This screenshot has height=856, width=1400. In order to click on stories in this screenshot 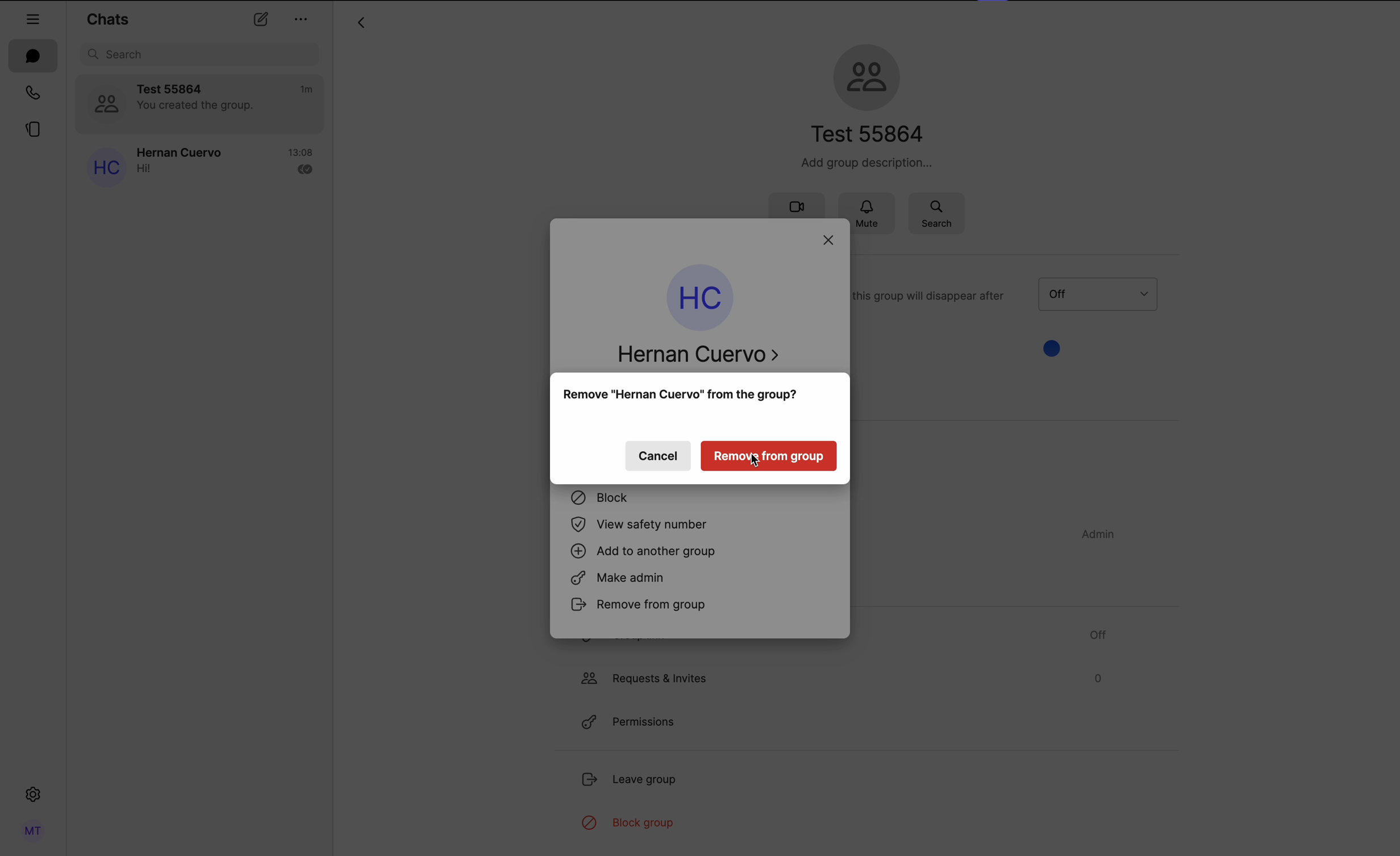, I will do `click(31, 132)`.